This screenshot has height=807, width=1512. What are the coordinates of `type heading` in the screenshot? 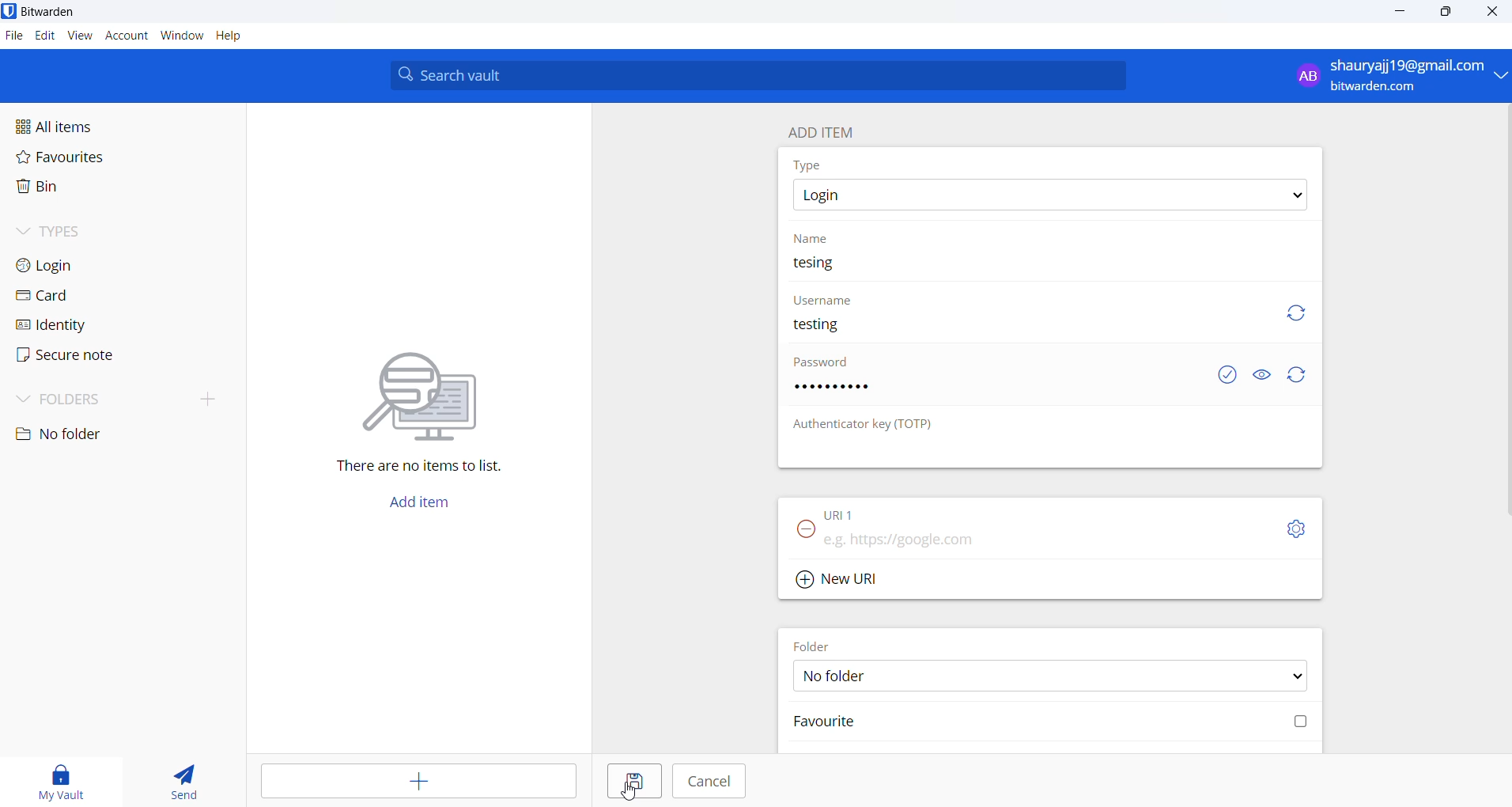 It's located at (811, 166).